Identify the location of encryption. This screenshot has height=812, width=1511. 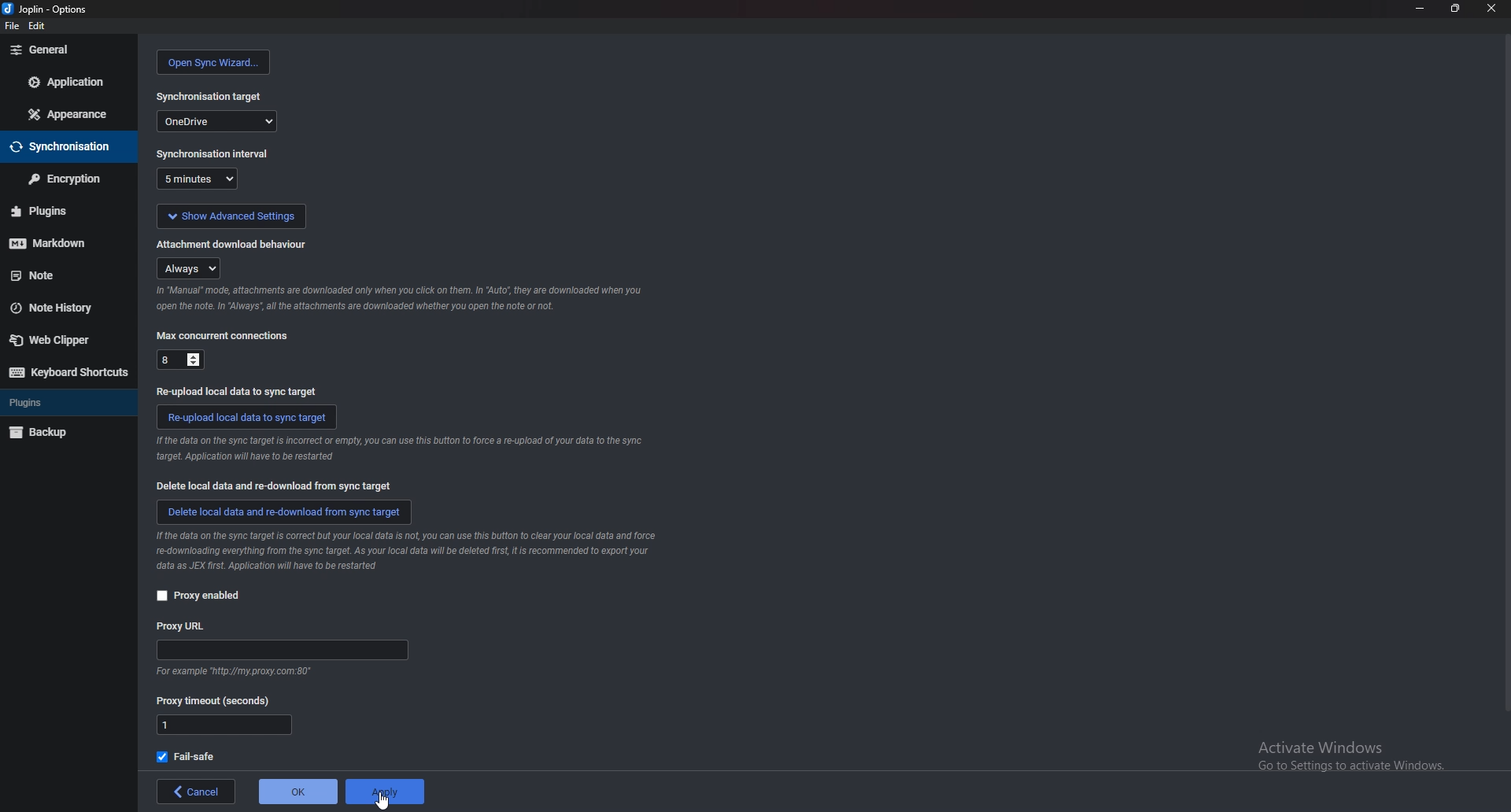
(68, 178).